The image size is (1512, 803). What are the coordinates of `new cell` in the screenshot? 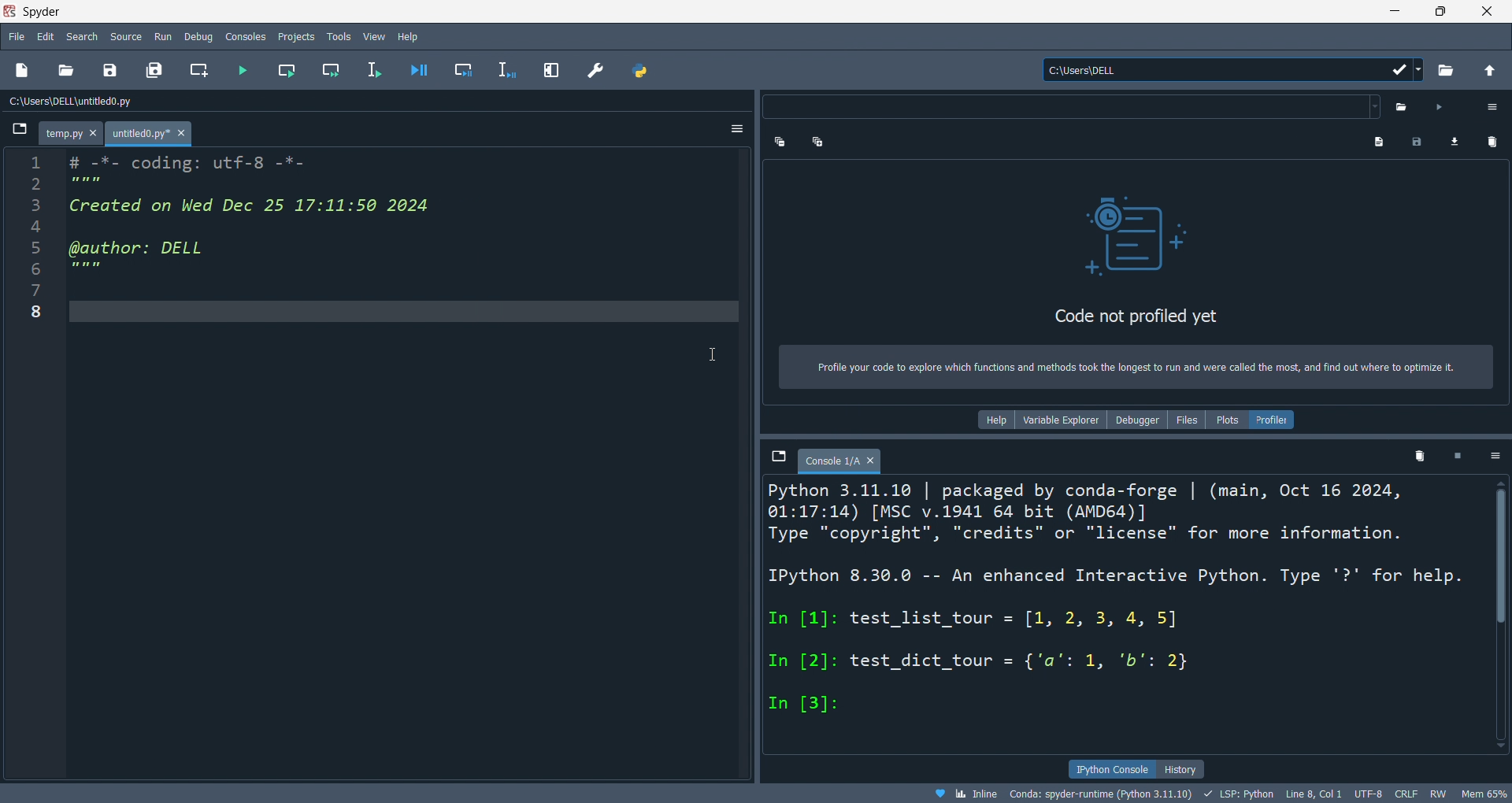 It's located at (197, 69).